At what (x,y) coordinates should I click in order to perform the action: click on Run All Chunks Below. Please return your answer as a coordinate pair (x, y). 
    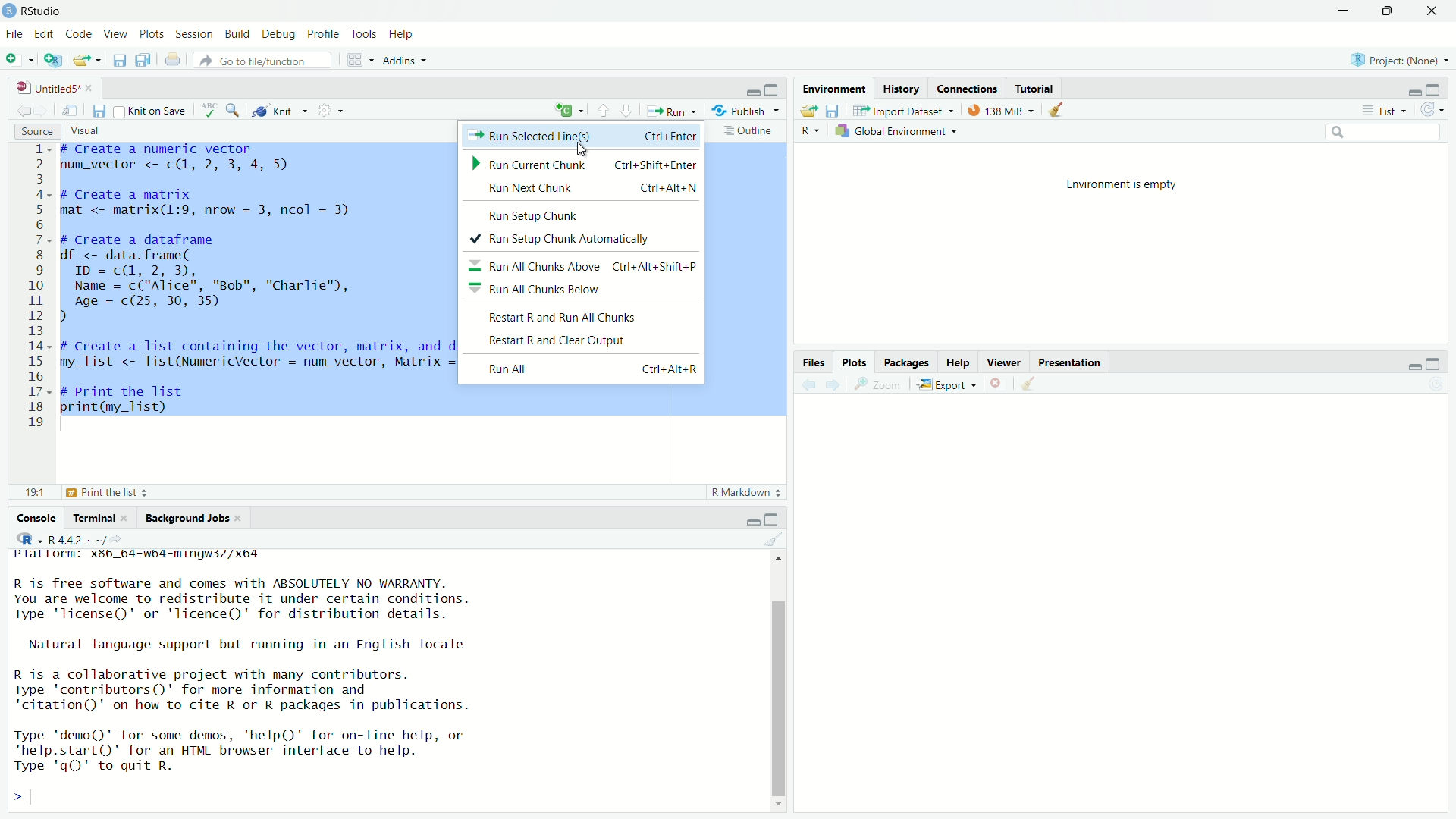
    Looking at the image, I should click on (537, 290).